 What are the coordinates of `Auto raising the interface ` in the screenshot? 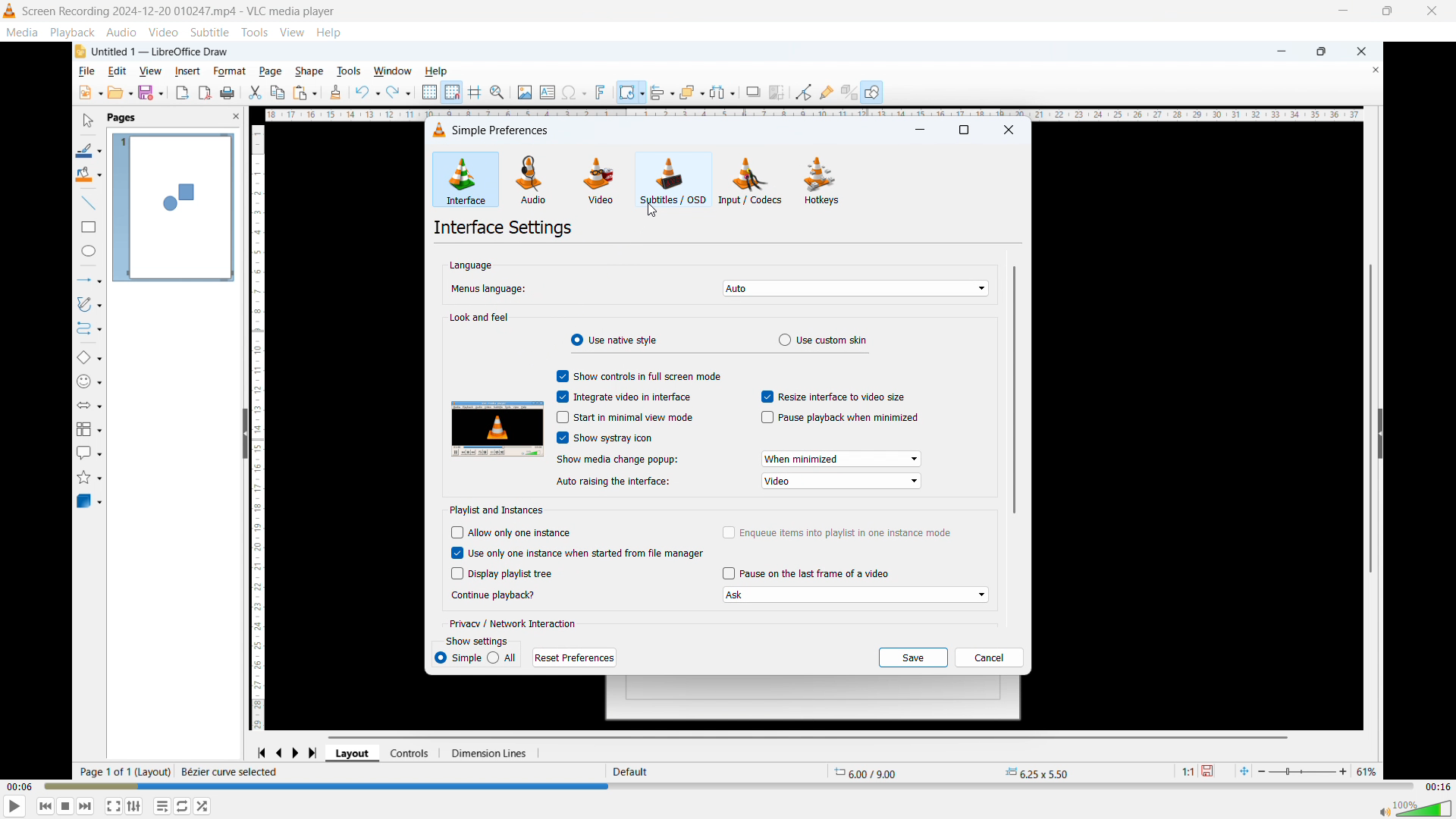 It's located at (843, 482).